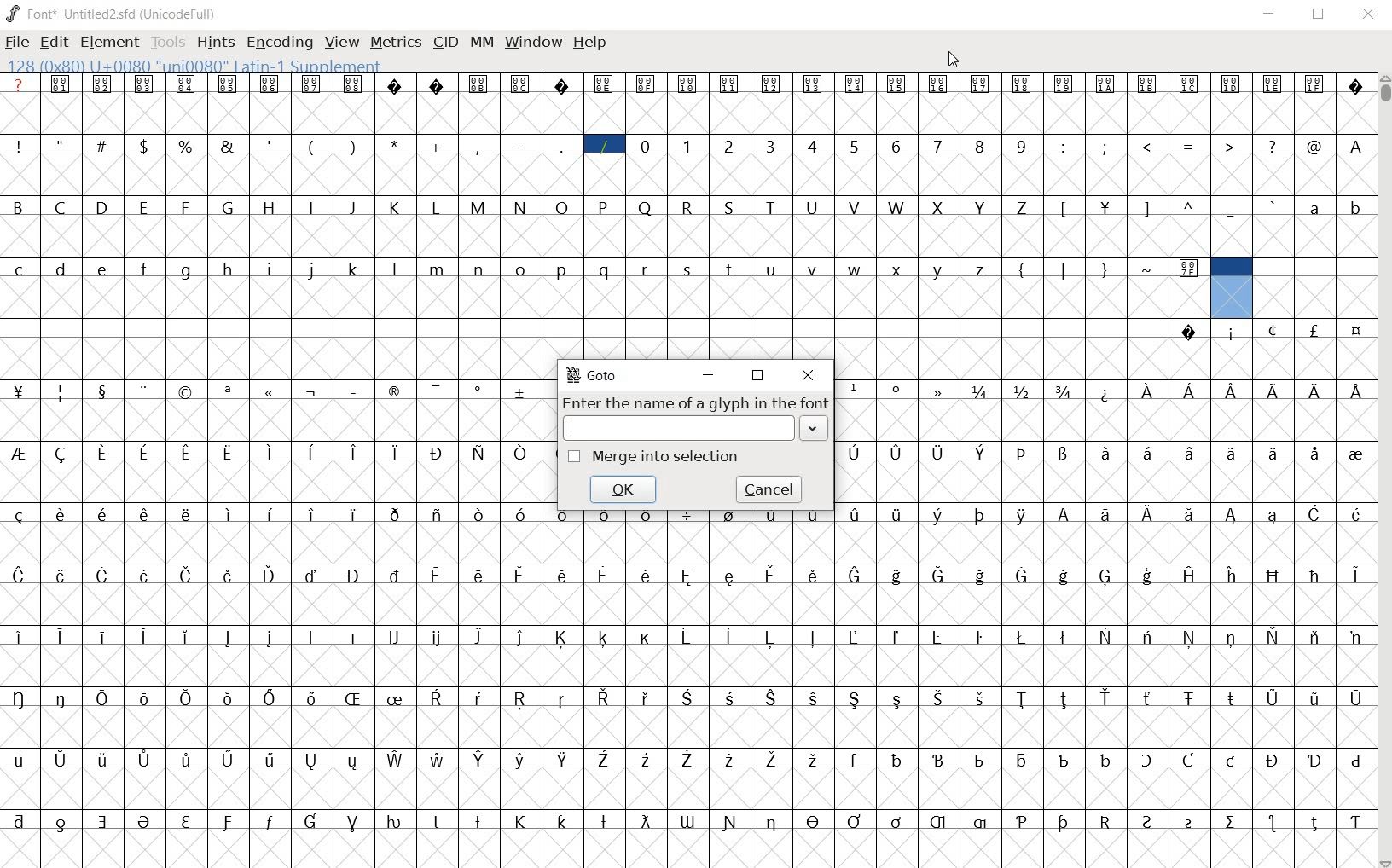 The width and height of the screenshot is (1392, 868). Describe the element at coordinates (1230, 759) in the screenshot. I see `Symbol` at that location.